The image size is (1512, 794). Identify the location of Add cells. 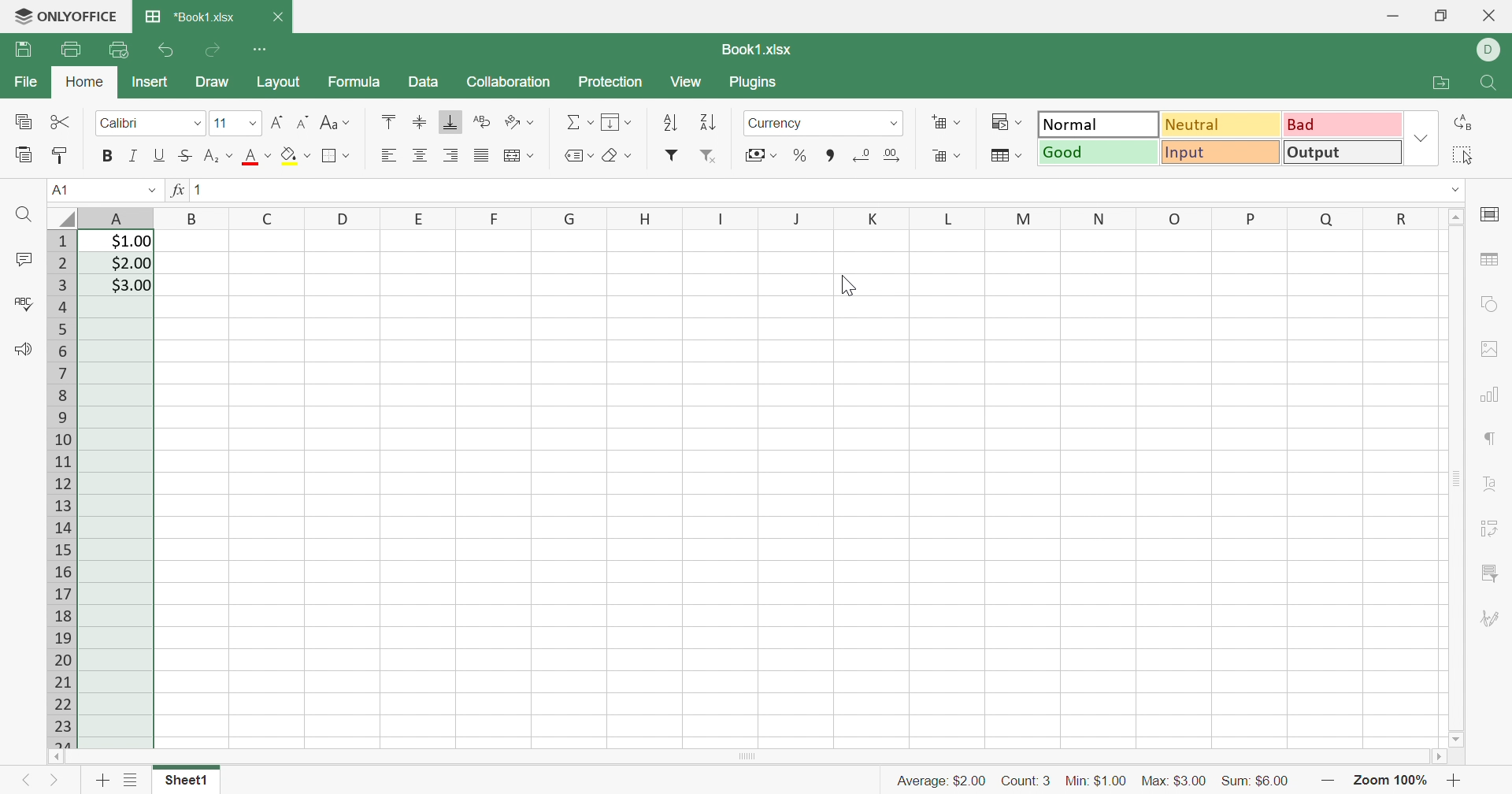
(944, 121).